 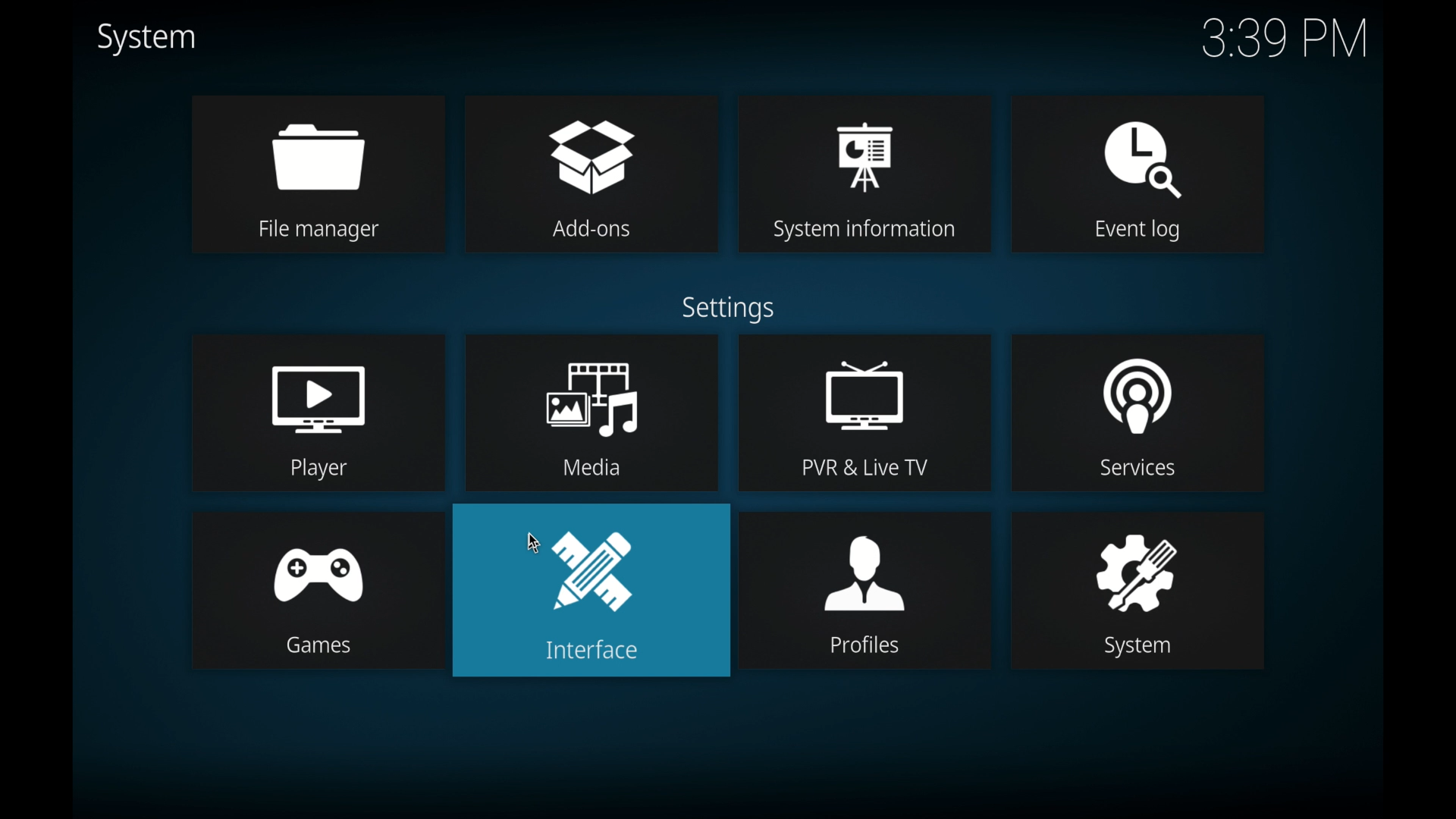 I want to click on services, so click(x=1139, y=412).